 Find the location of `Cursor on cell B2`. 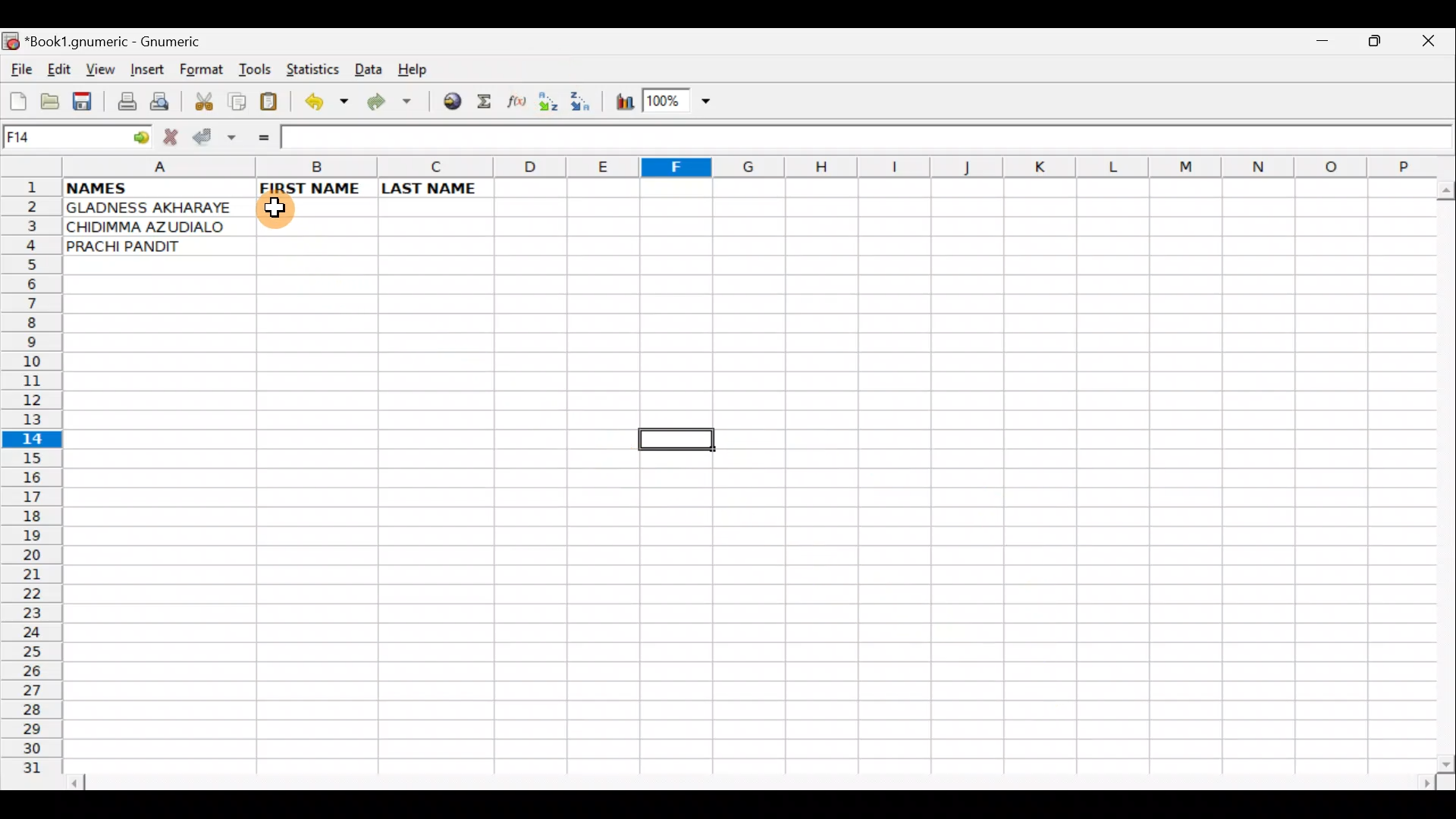

Cursor on cell B2 is located at coordinates (281, 206).